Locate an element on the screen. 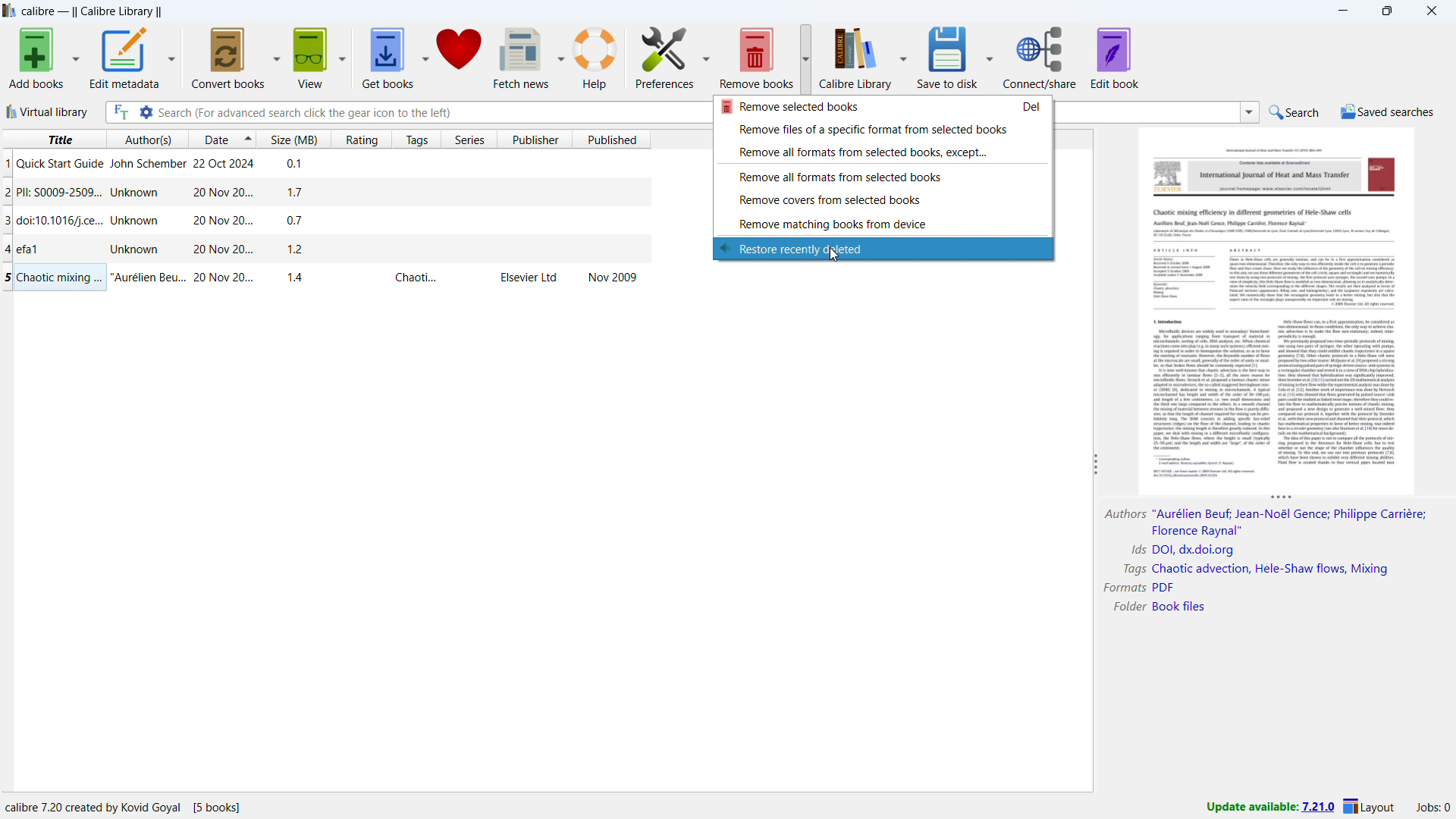 The image size is (1456, 819). do a quick search is located at coordinates (1295, 113).